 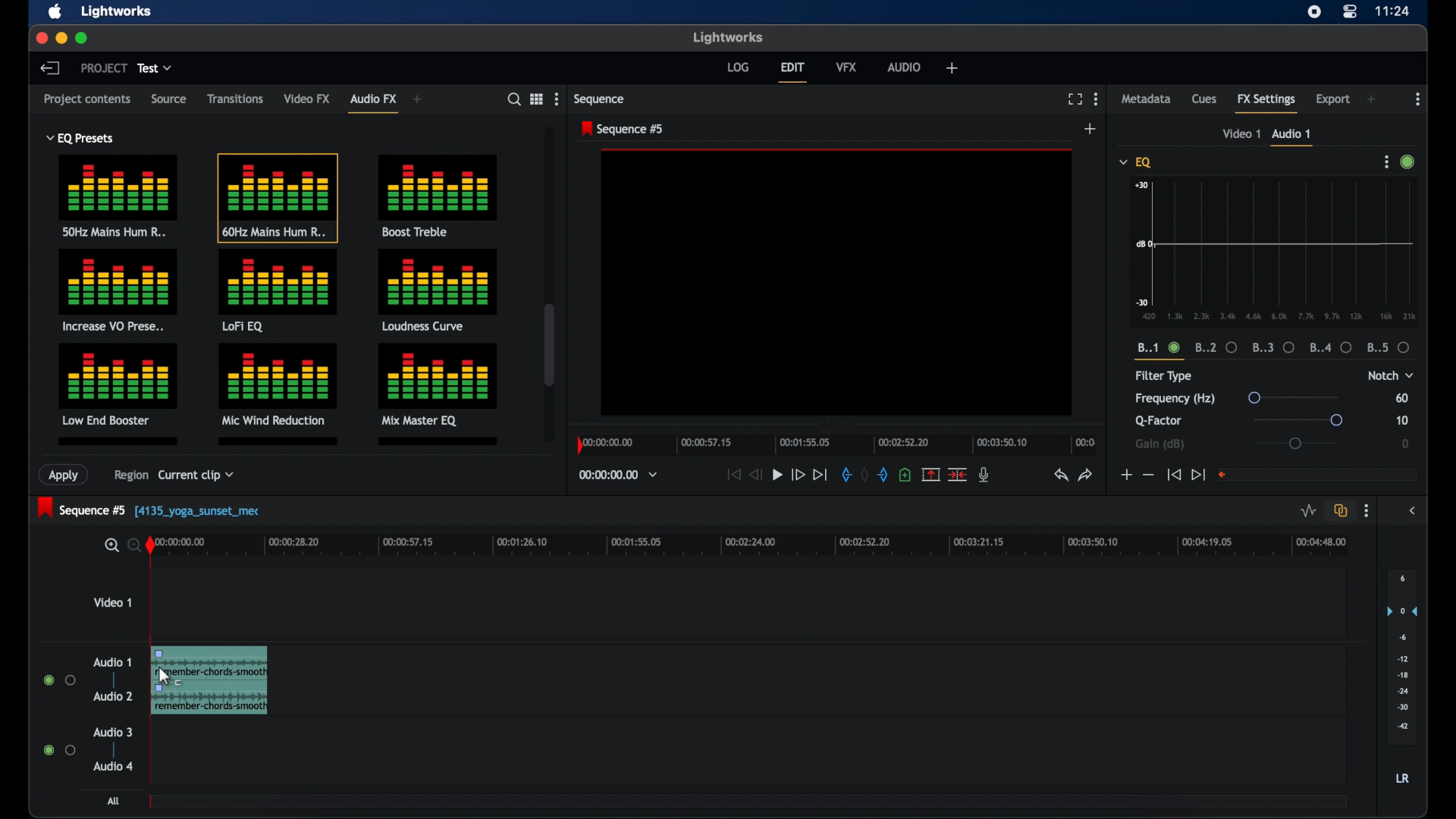 What do you see at coordinates (49, 67) in the screenshot?
I see `back` at bounding box center [49, 67].